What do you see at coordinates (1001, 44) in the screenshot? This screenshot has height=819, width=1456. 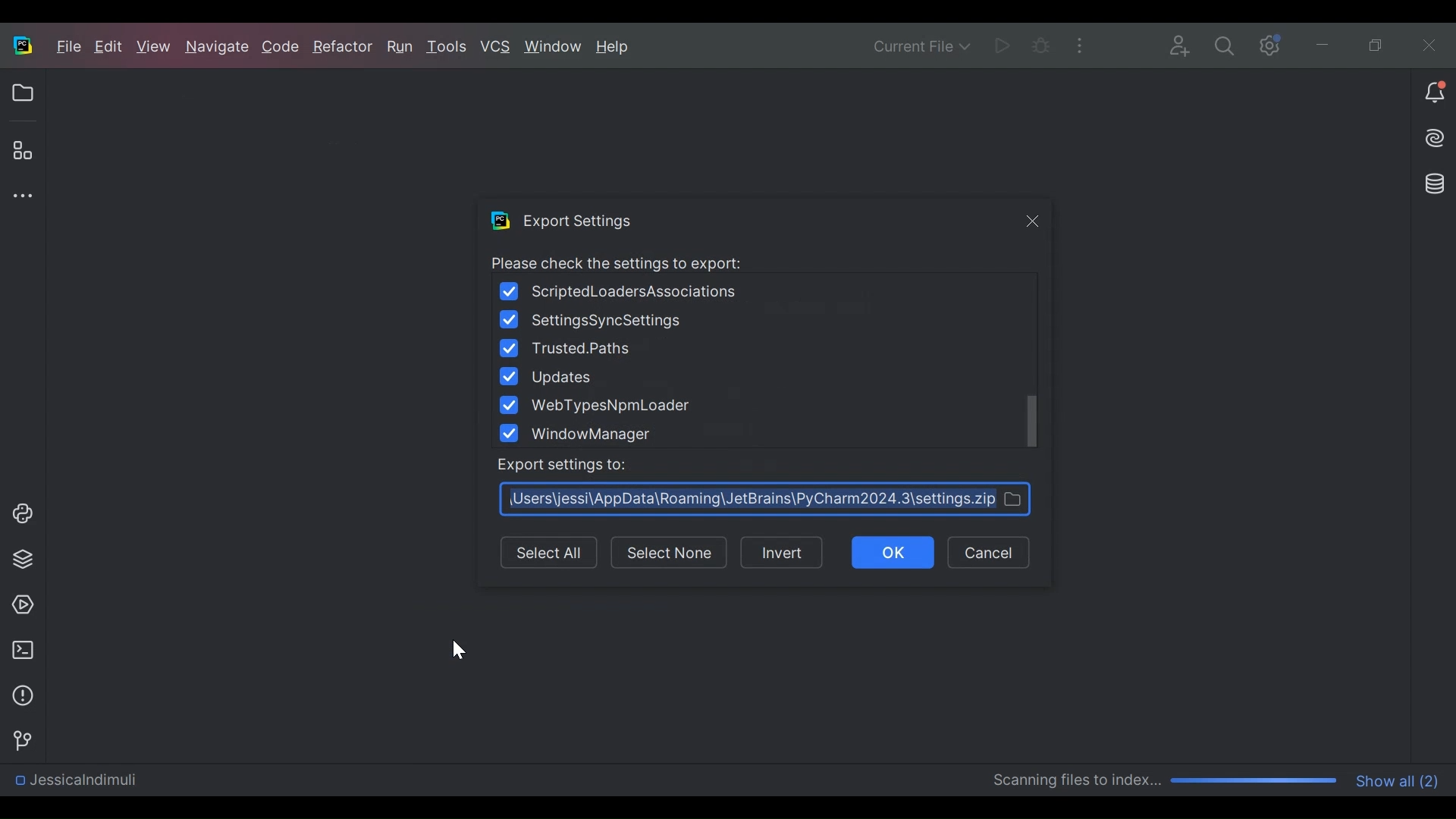 I see `Run` at bounding box center [1001, 44].